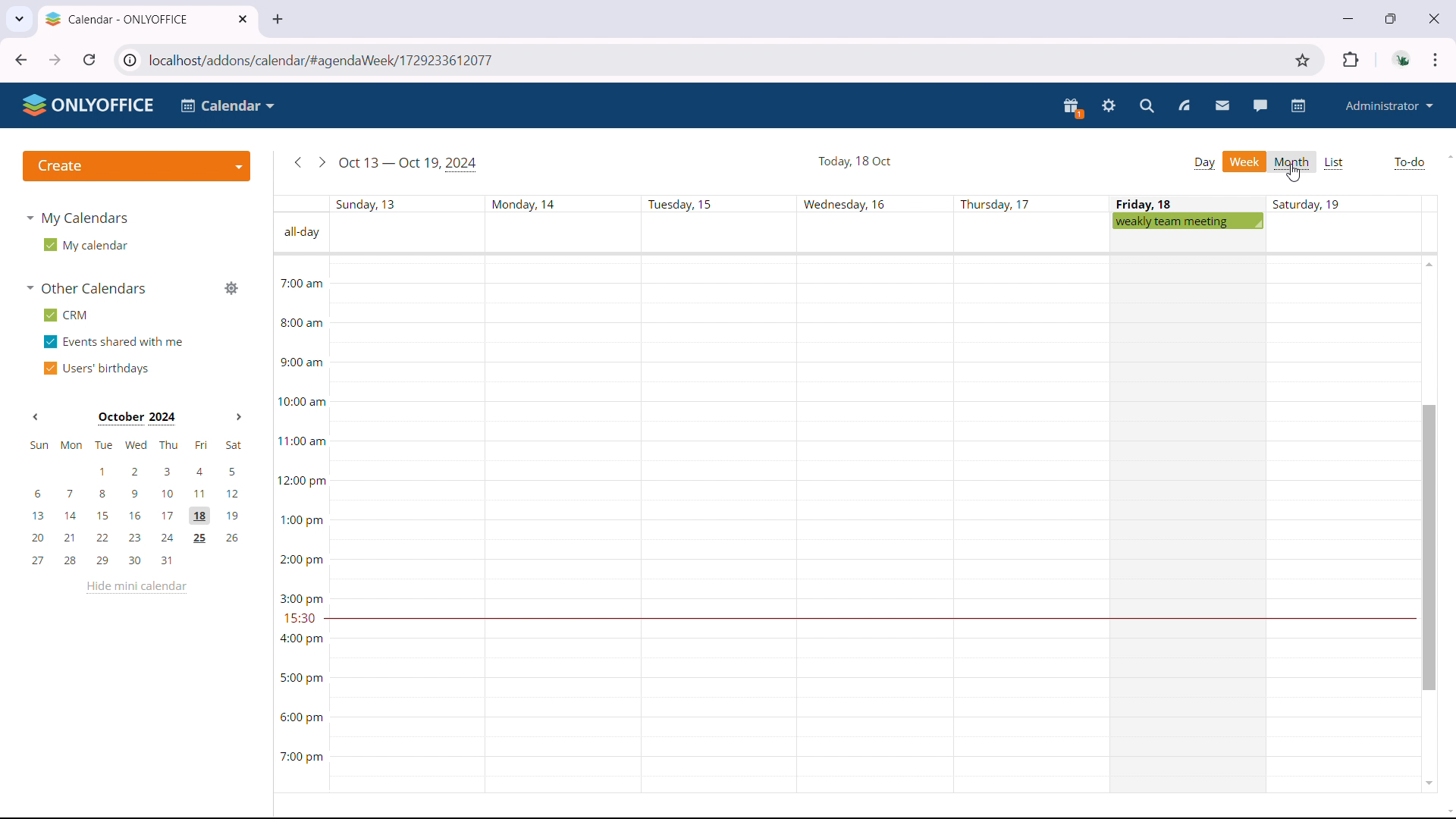 This screenshot has height=819, width=1456. I want to click on talk, so click(1259, 105).